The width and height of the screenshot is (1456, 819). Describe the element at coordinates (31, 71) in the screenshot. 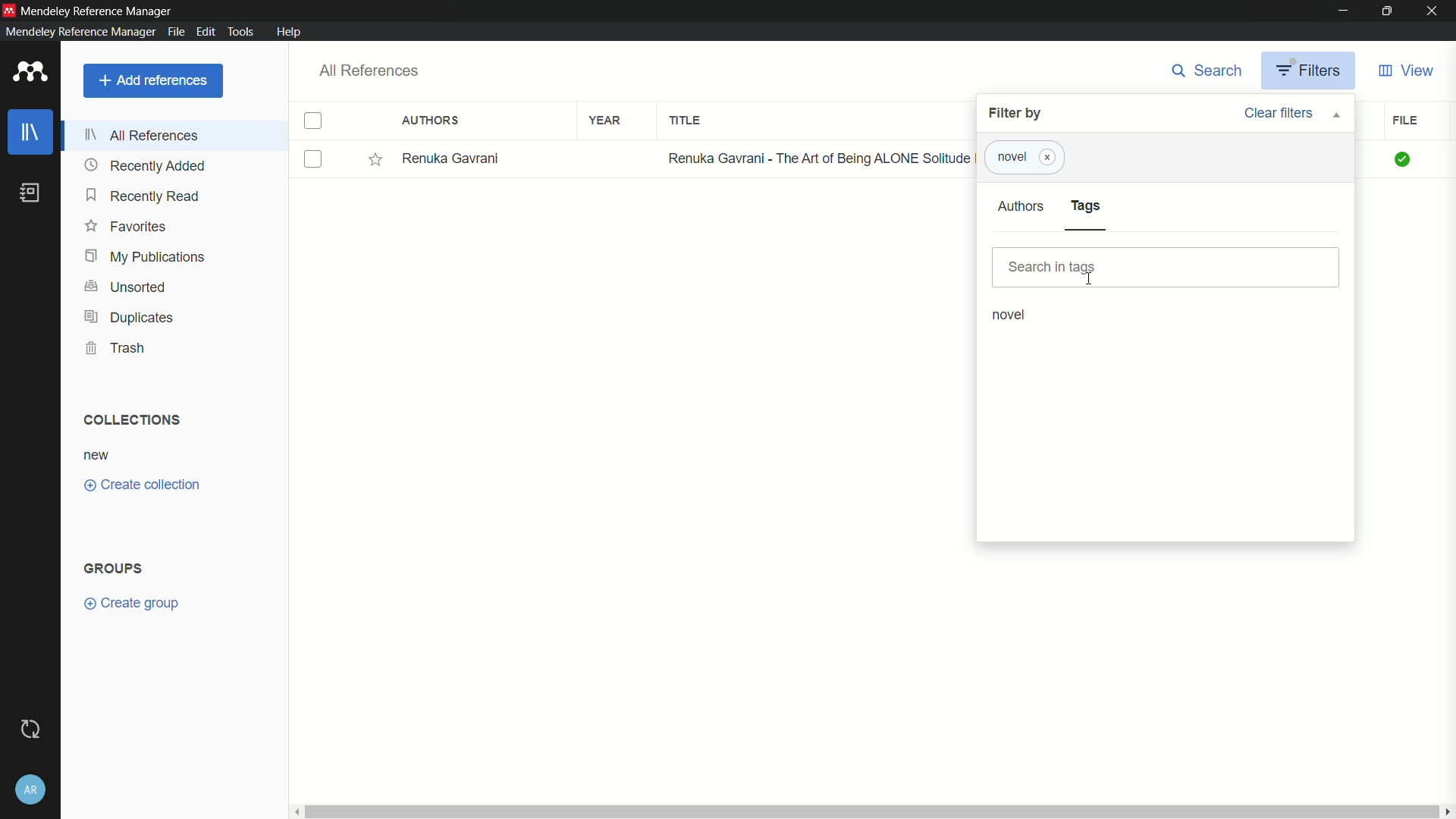

I see `app icon` at that location.